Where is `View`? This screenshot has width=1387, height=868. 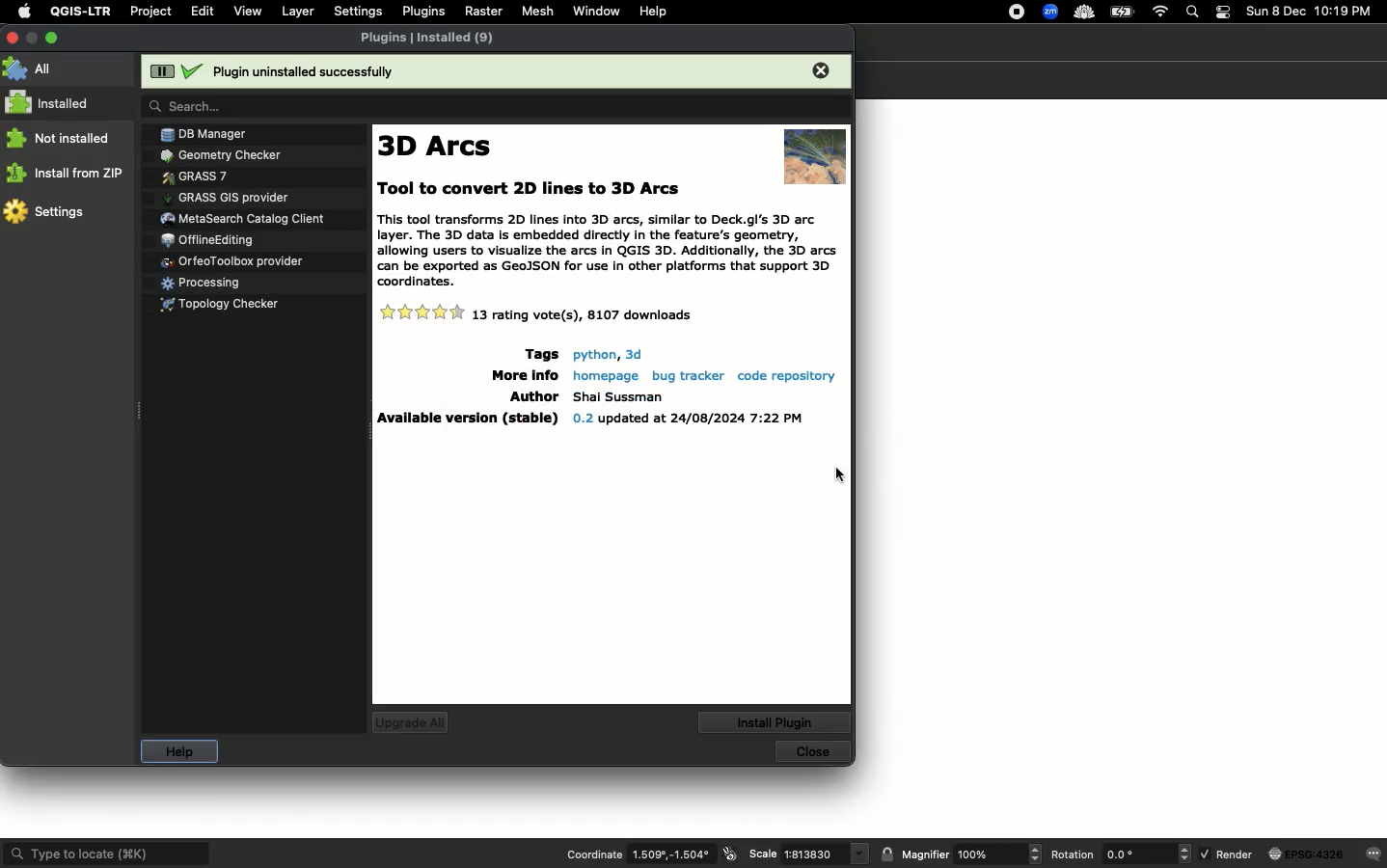 View is located at coordinates (247, 12).